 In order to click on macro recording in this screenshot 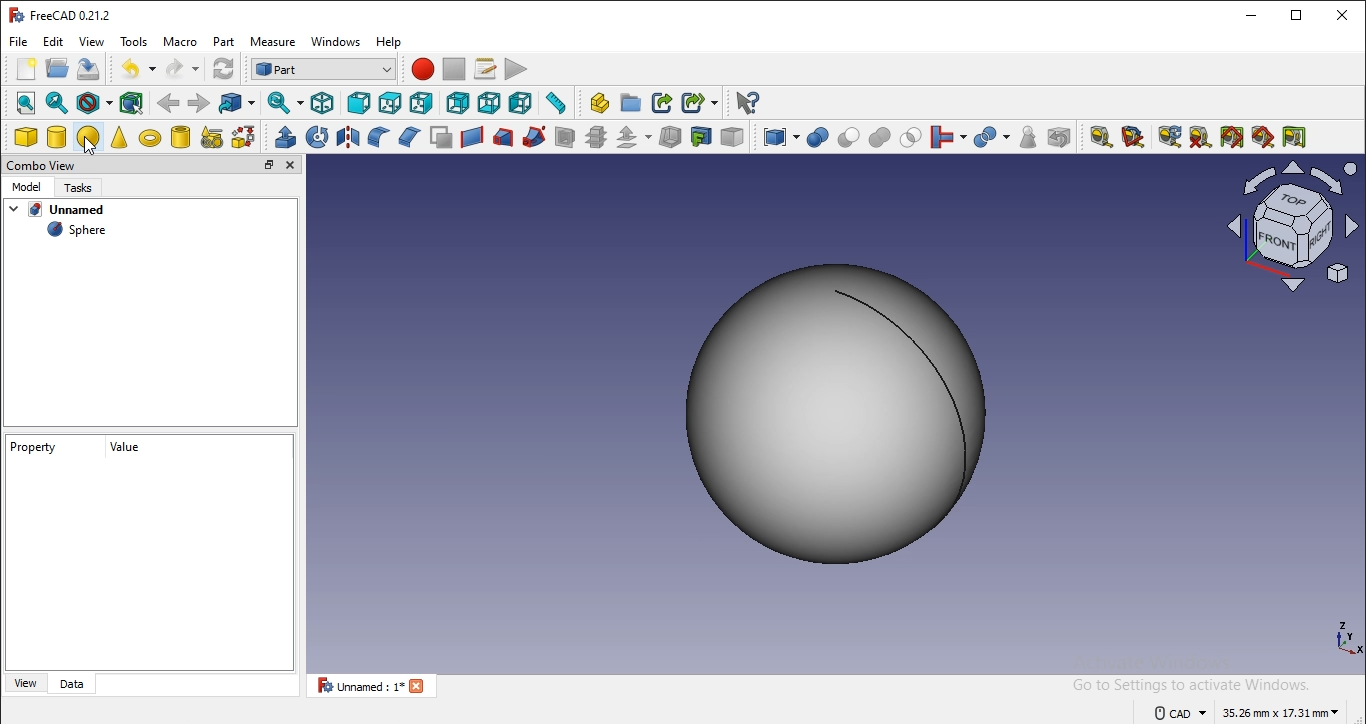, I will do `click(422, 68)`.